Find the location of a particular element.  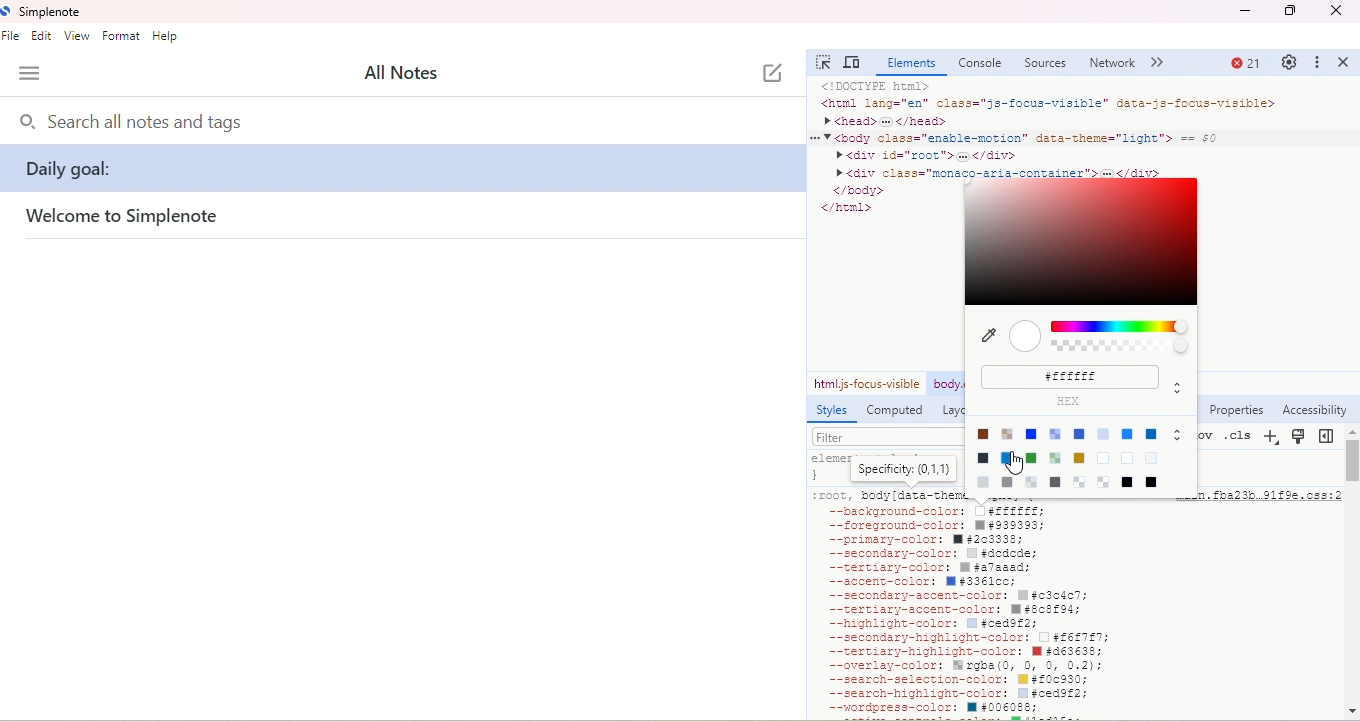

foreground-color is located at coordinates (928, 526).